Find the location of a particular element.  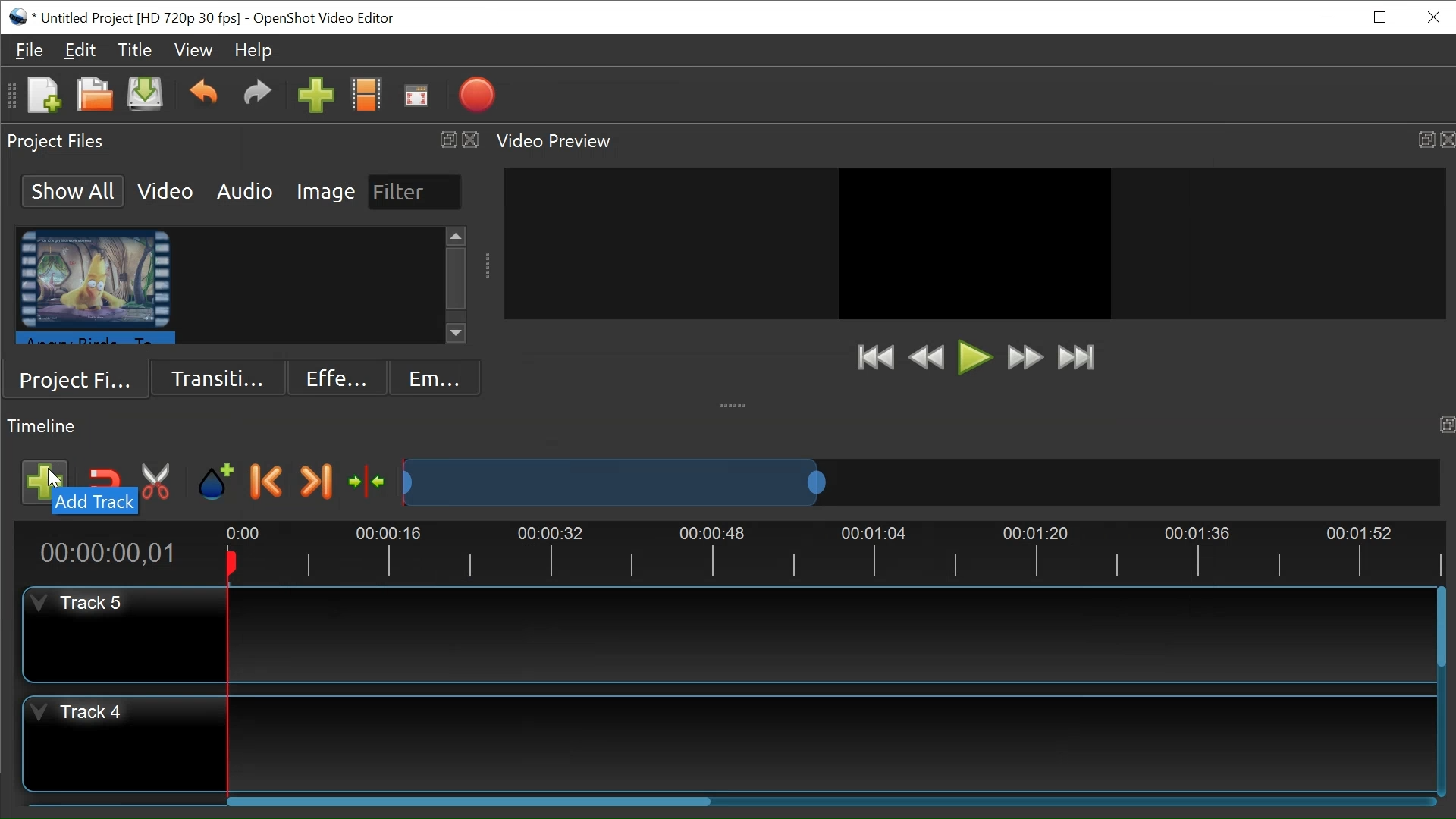

Video Preview is located at coordinates (973, 140).